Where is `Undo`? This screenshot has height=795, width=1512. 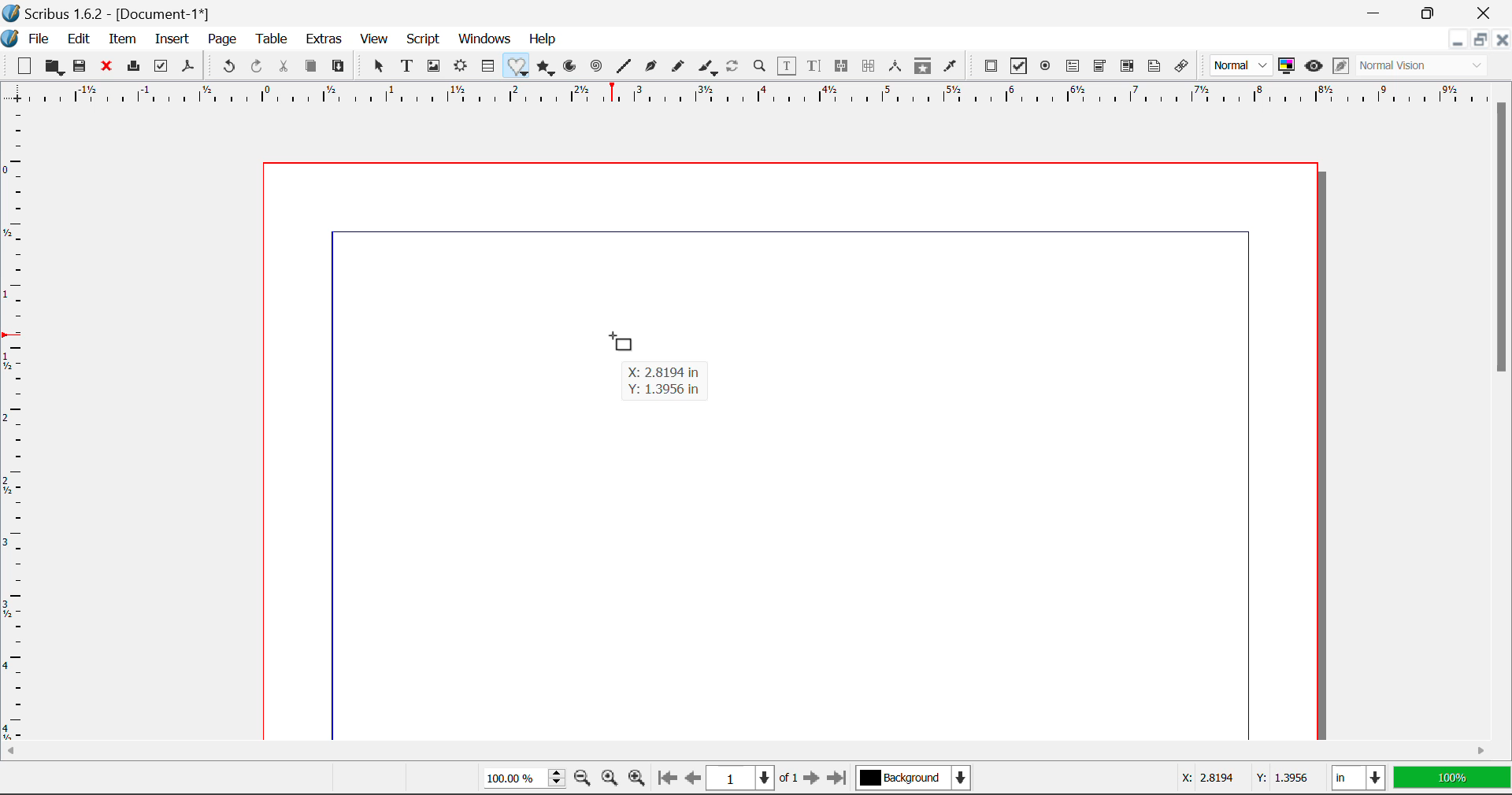 Undo is located at coordinates (226, 67).